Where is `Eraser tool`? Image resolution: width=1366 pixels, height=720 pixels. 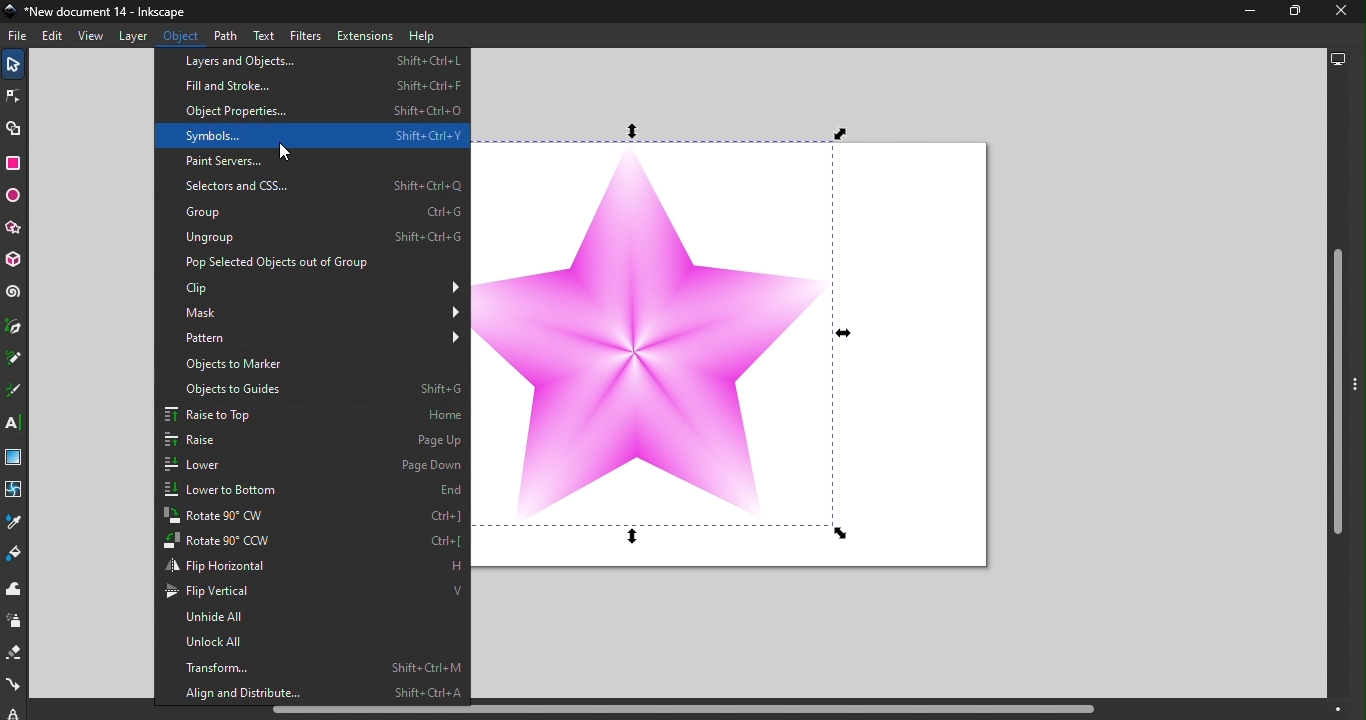 Eraser tool is located at coordinates (16, 653).